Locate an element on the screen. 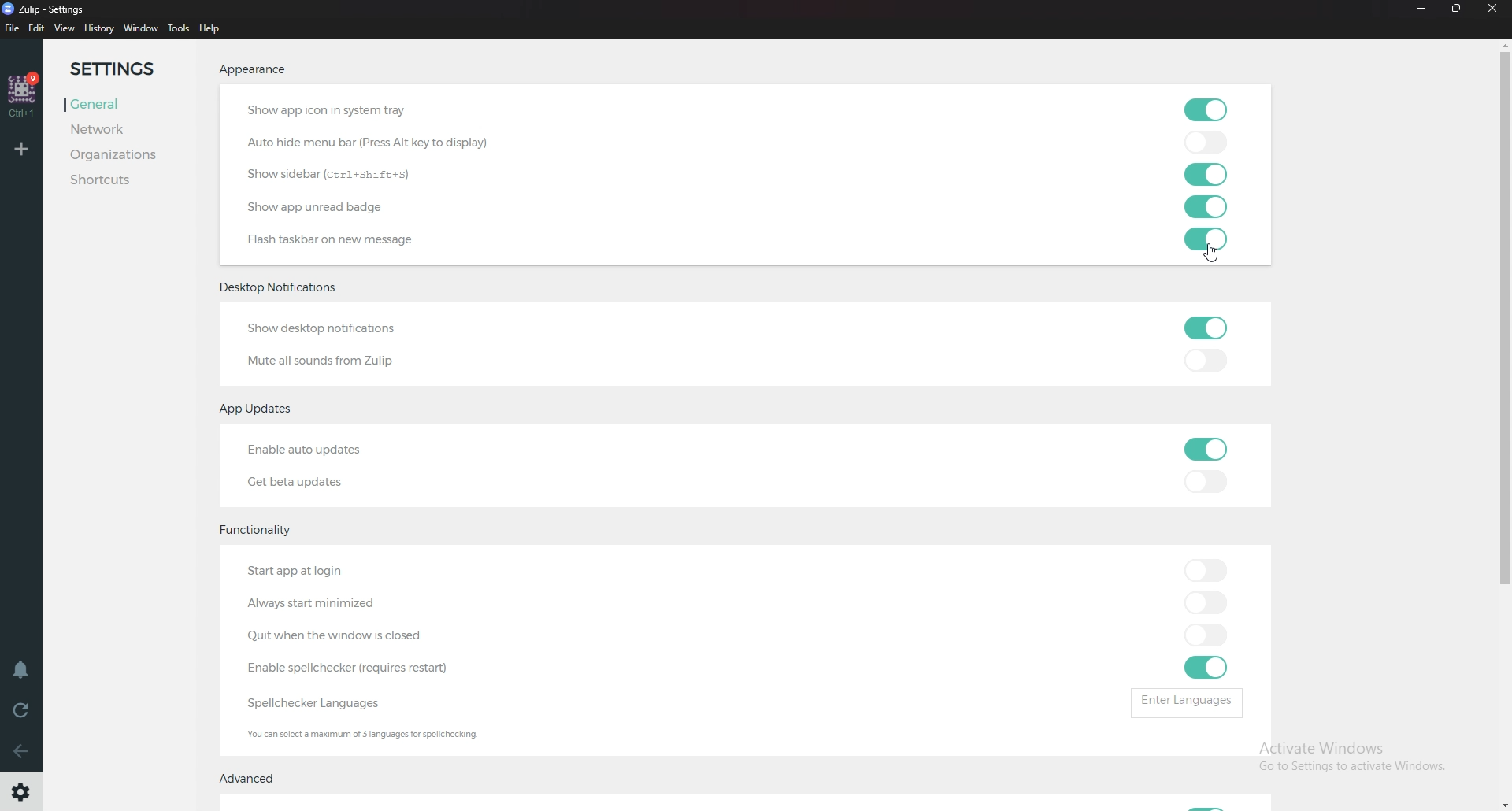  flash taskbar new message is located at coordinates (336, 240).